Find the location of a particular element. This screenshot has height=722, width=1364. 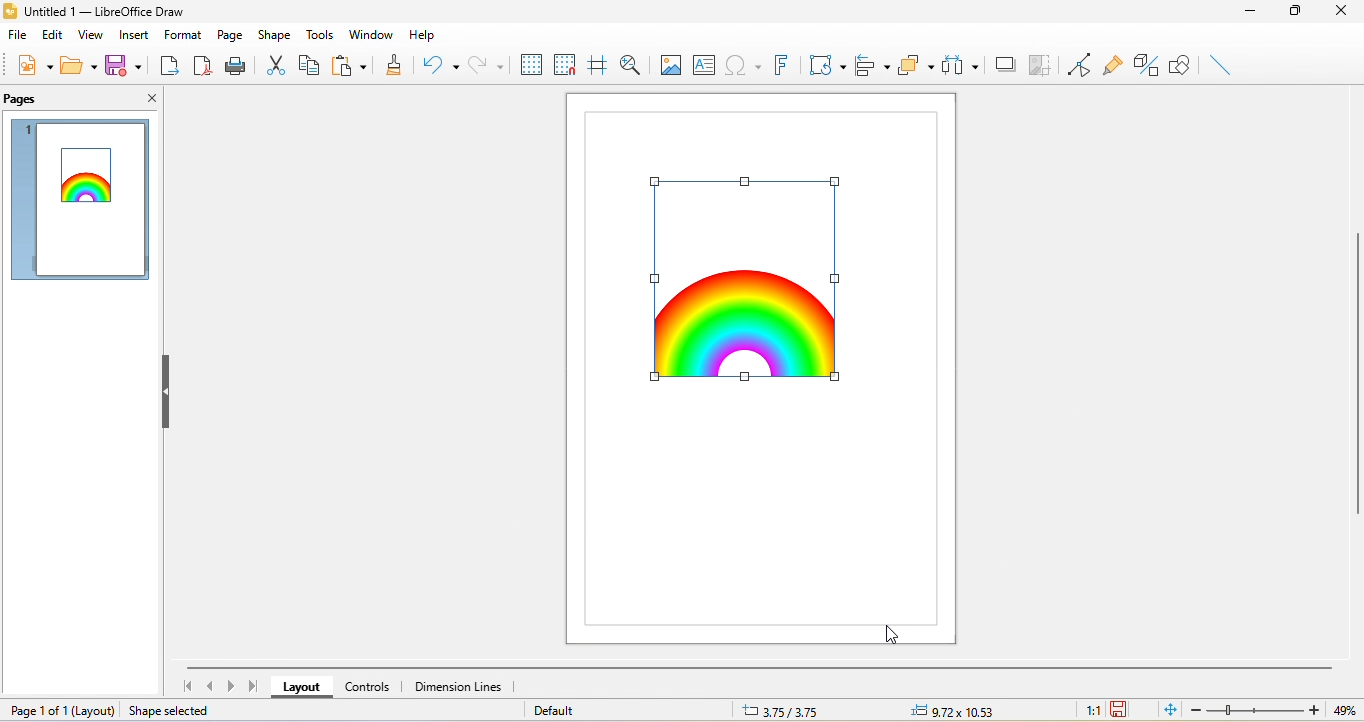

shadow is located at coordinates (1005, 63).